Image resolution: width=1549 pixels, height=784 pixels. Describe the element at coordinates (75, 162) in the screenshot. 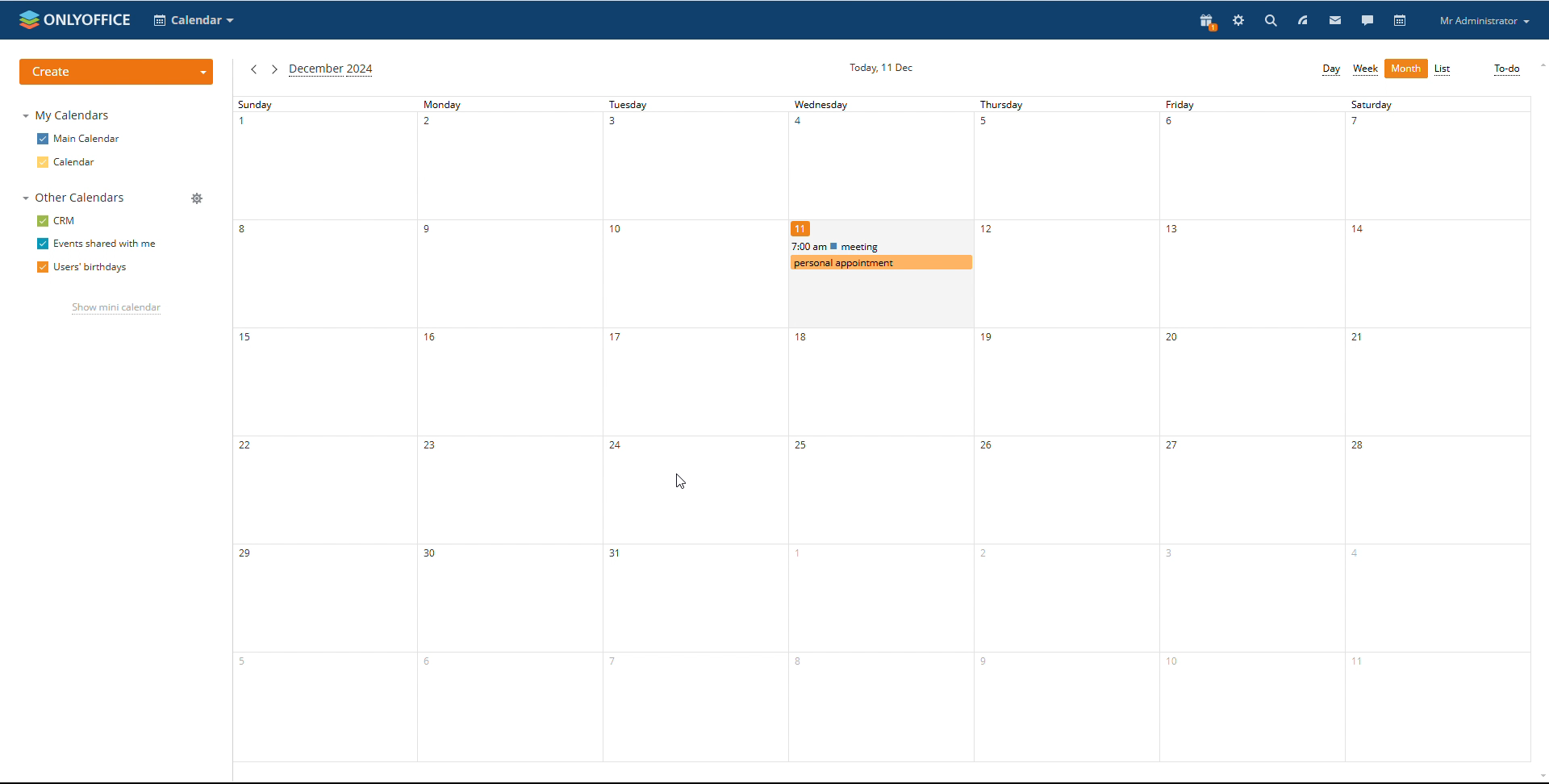

I see `calendar` at that location.